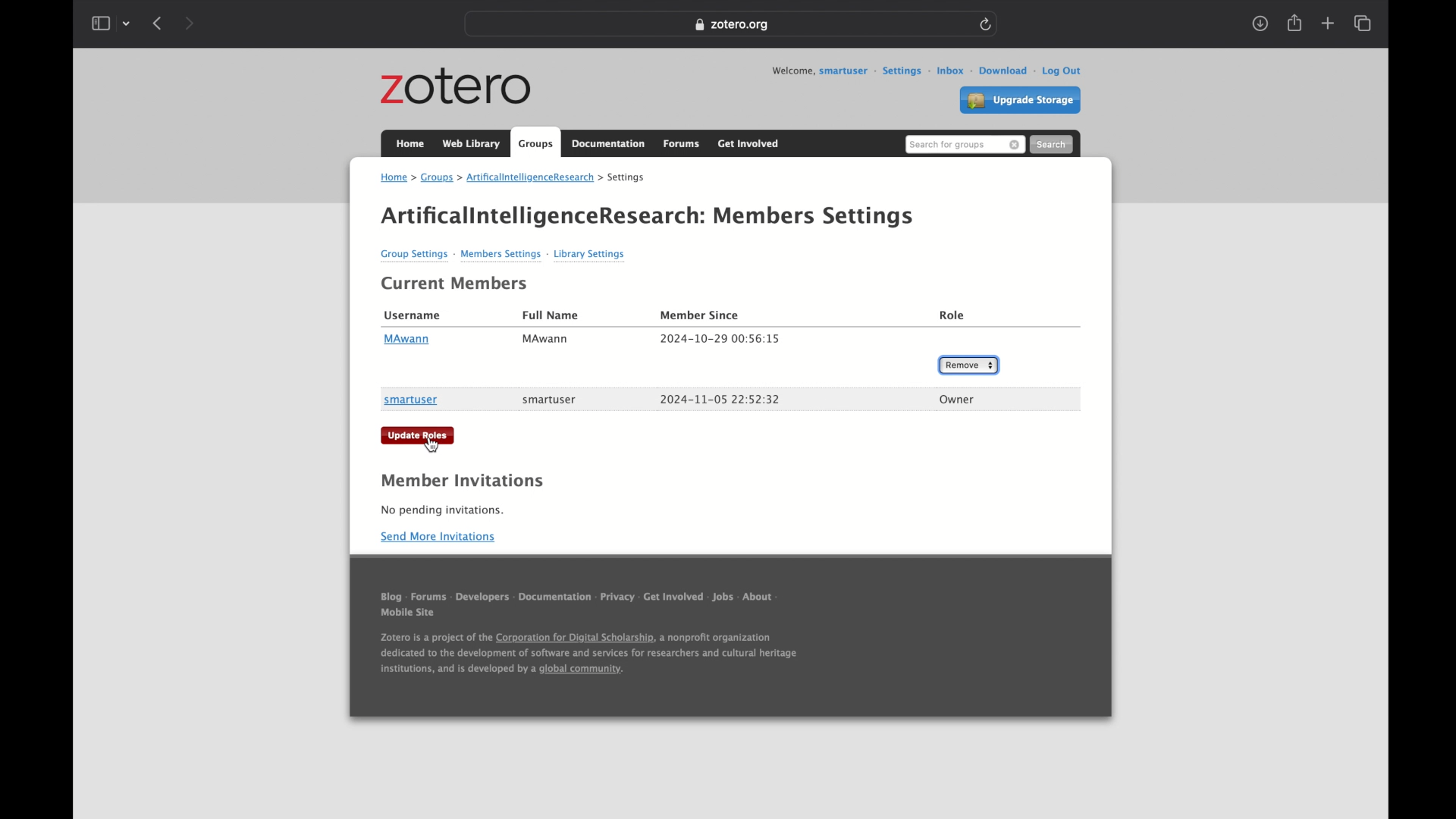  I want to click on role, so click(953, 316).